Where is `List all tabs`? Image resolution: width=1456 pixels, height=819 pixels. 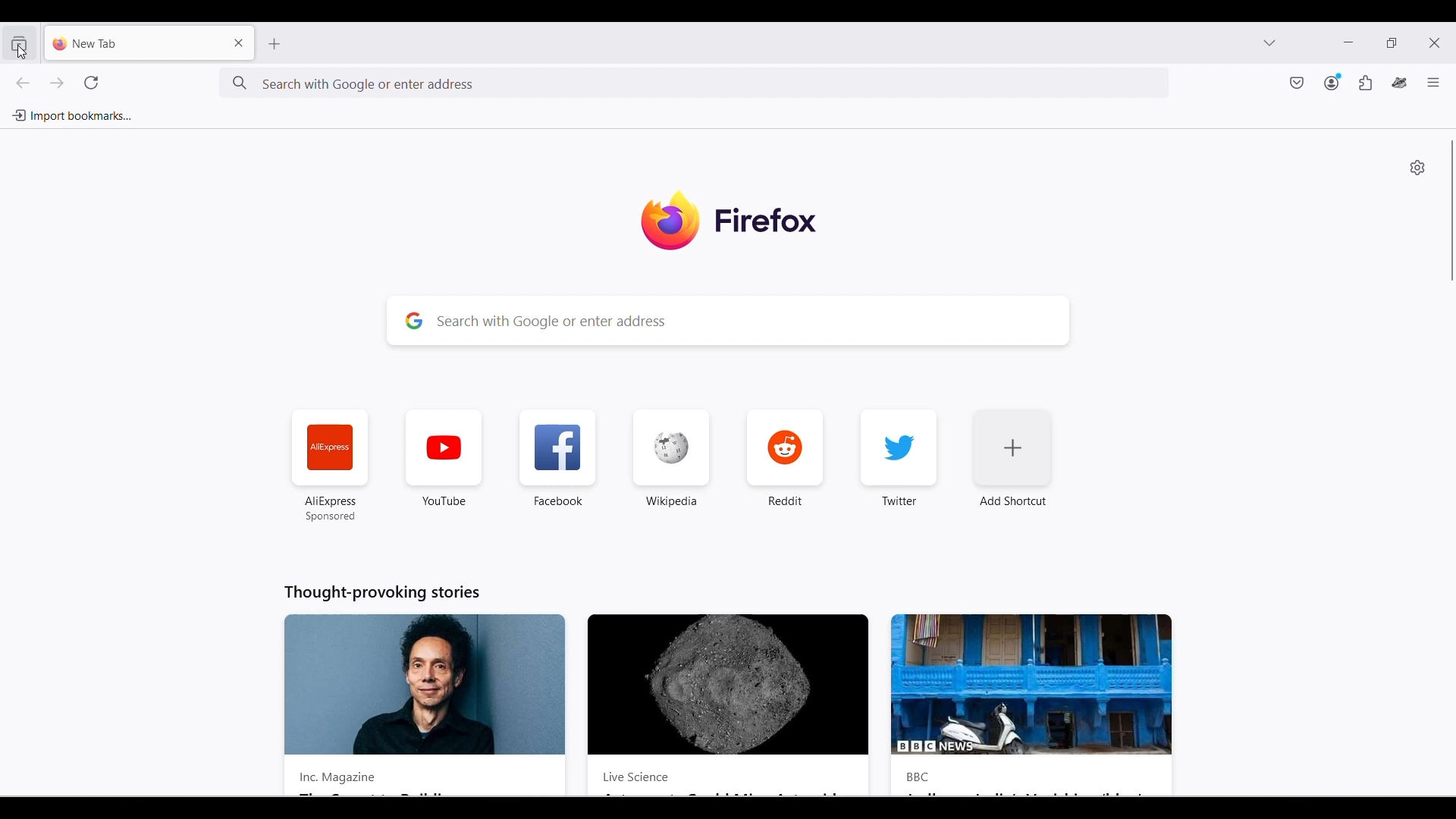
List all tabs is located at coordinates (1269, 42).